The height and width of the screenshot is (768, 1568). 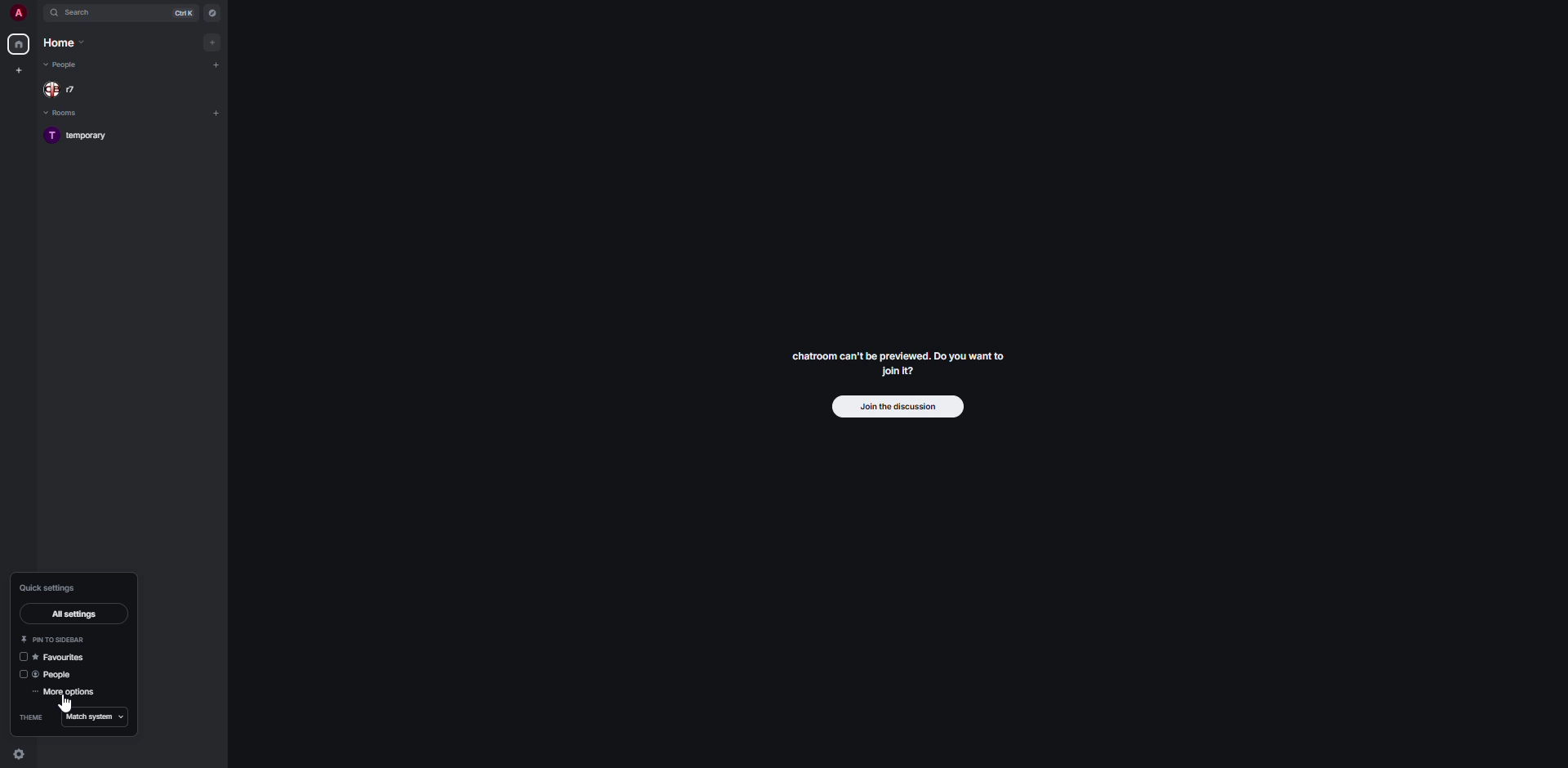 I want to click on quick settings, so click(x=20, y=757).